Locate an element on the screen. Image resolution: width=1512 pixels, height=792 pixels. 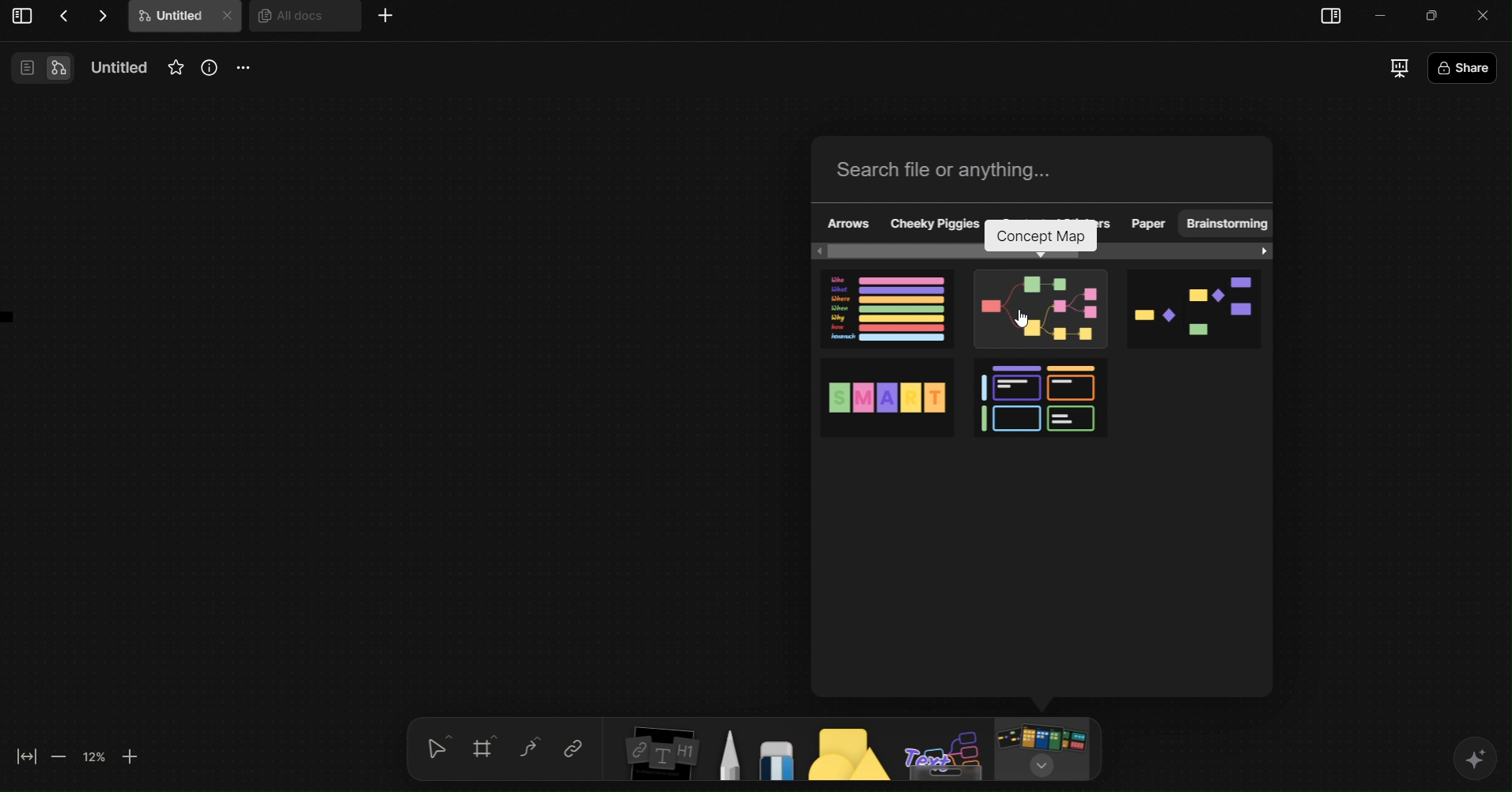
All docs is located at coordinates (302, 23).